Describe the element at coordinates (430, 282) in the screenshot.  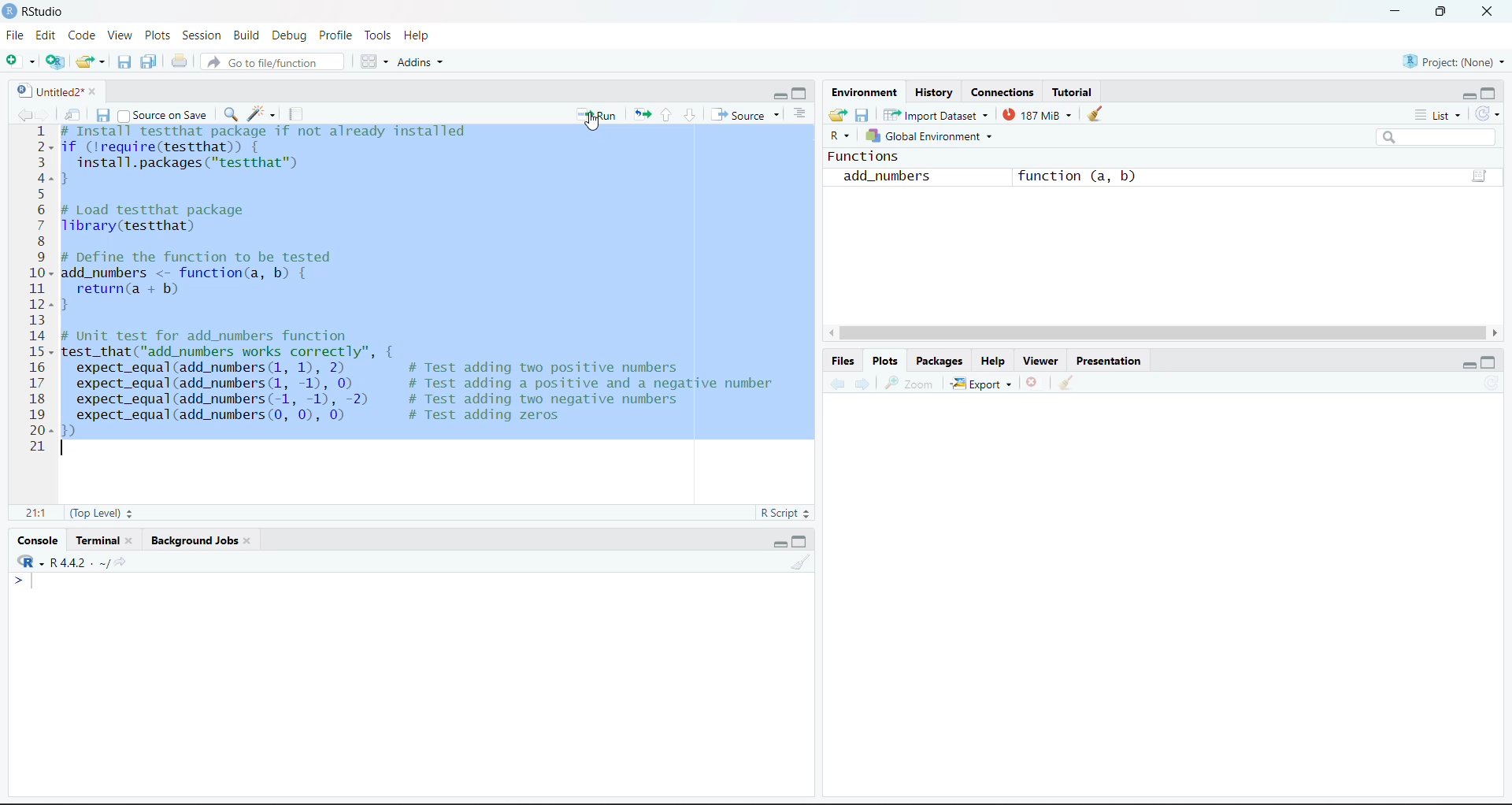
I see `# Install testthat package if not already installedif (!require(testthat)) {install.packages ("testthat™)}# Load testthat packageTibrary(testthat)# Define the function to be testedadd_numbers <- function(a, b) {return(a + b)}# Unit test for add_numbers functiontest_that("add_numbers works correctly”, {expect_equal(add_numbers (1, 1), 2) # Test adding two positive numbersexpect_equal(add_numbers (1, -1), 0) # Test adding a positive and a negative numberexpect_equal(add_numbers(-1, -1), -2) # Test adding two negative numbersexpect_equal(add_numbers (0, 0), 0) # Test adding zeros})` at that location.